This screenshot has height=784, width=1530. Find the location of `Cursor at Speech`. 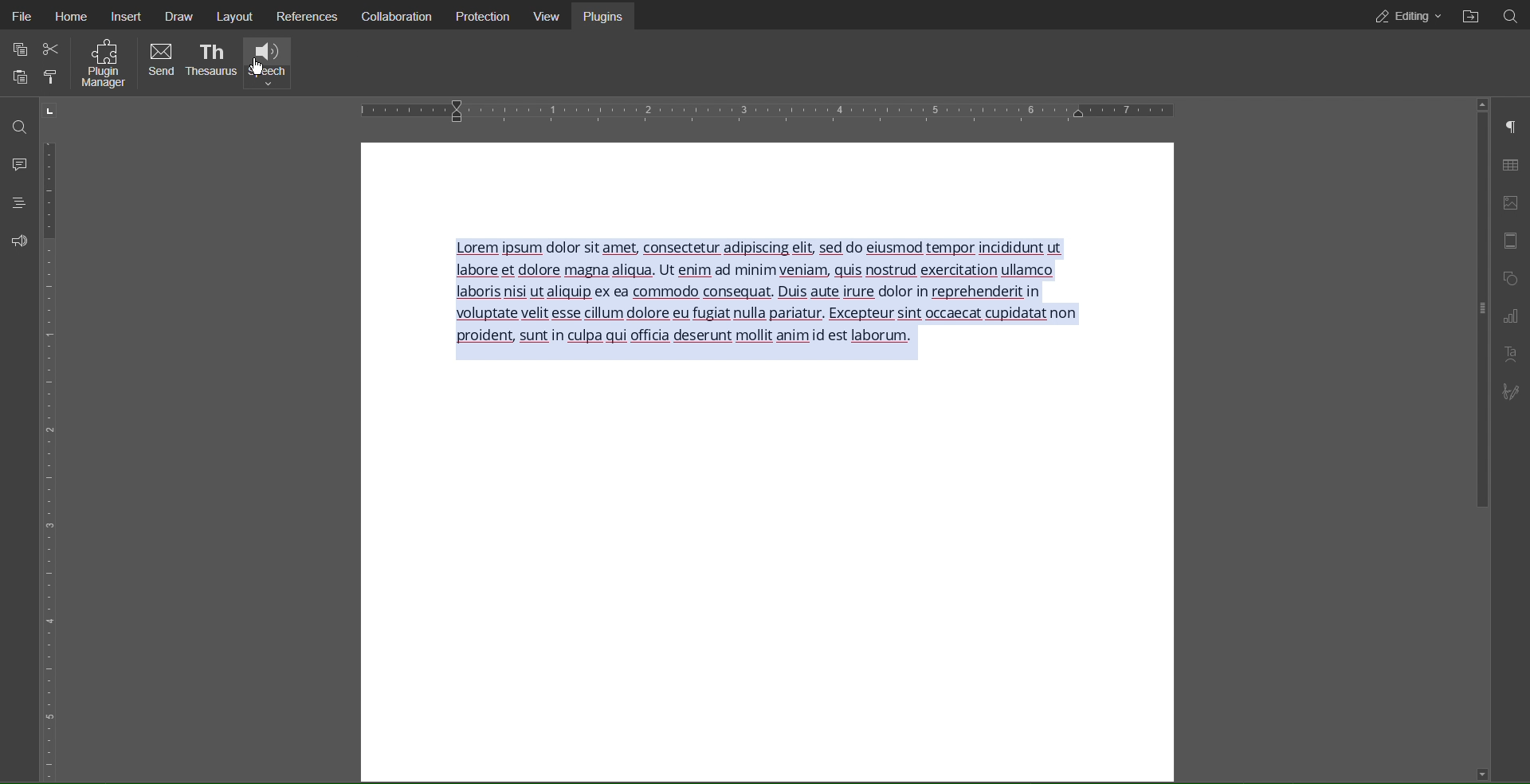

Cursor at Speech is located at coordinates (258, 69).